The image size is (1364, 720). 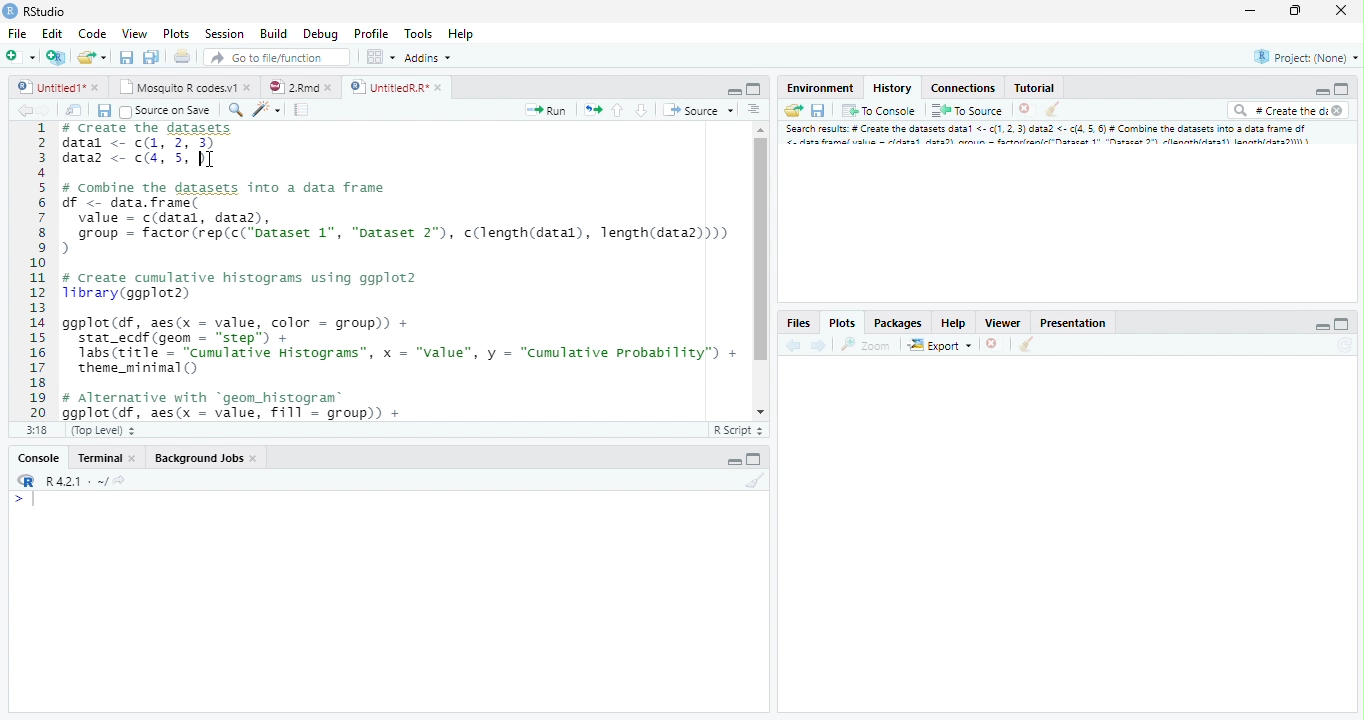 What do you see at coordinates (1339, 10) in the screenshot?
I see `Close` at bounding box center [1339, 10].